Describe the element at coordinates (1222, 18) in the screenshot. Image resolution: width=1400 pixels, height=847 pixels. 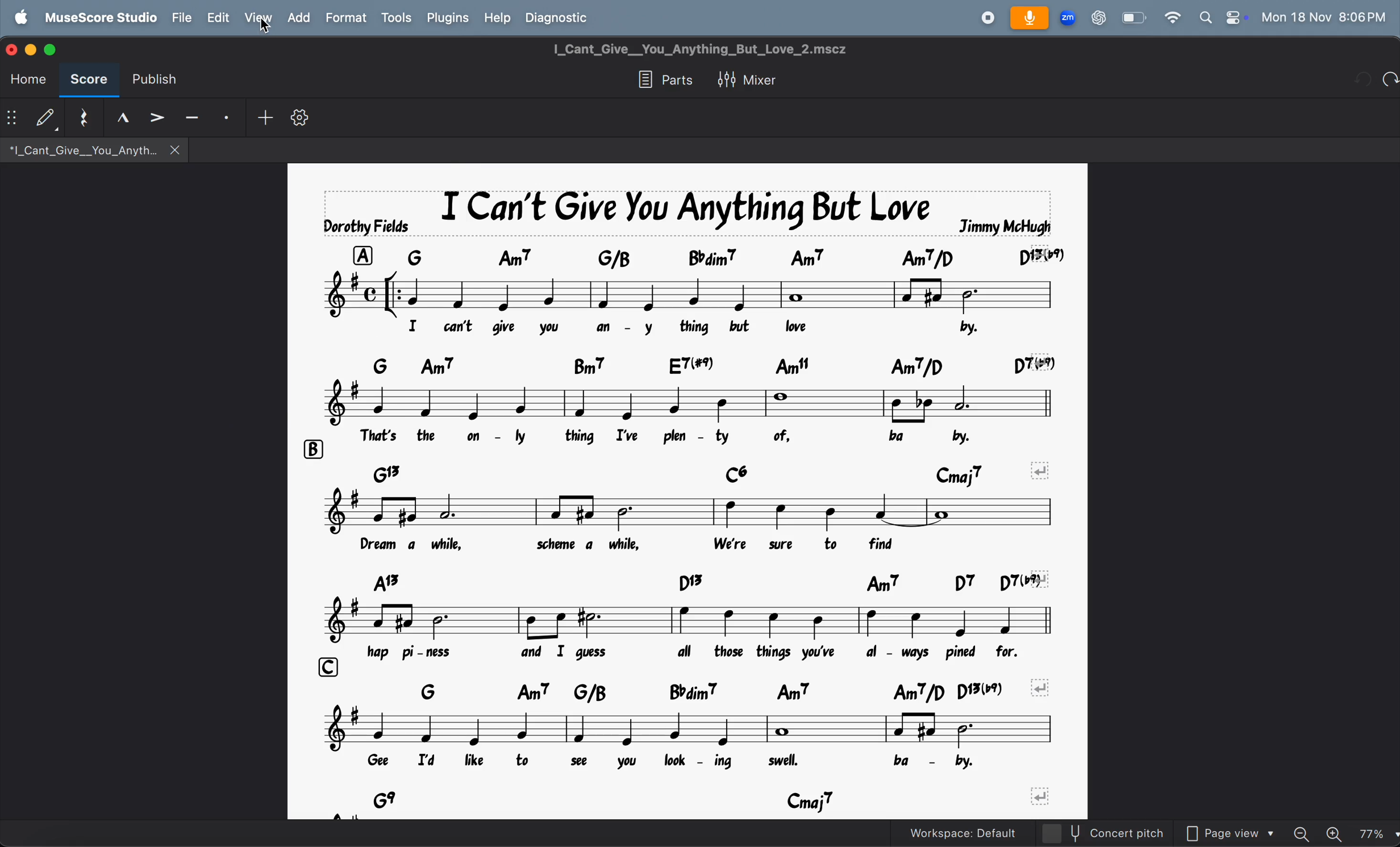
I see `apple widgets` at that location.